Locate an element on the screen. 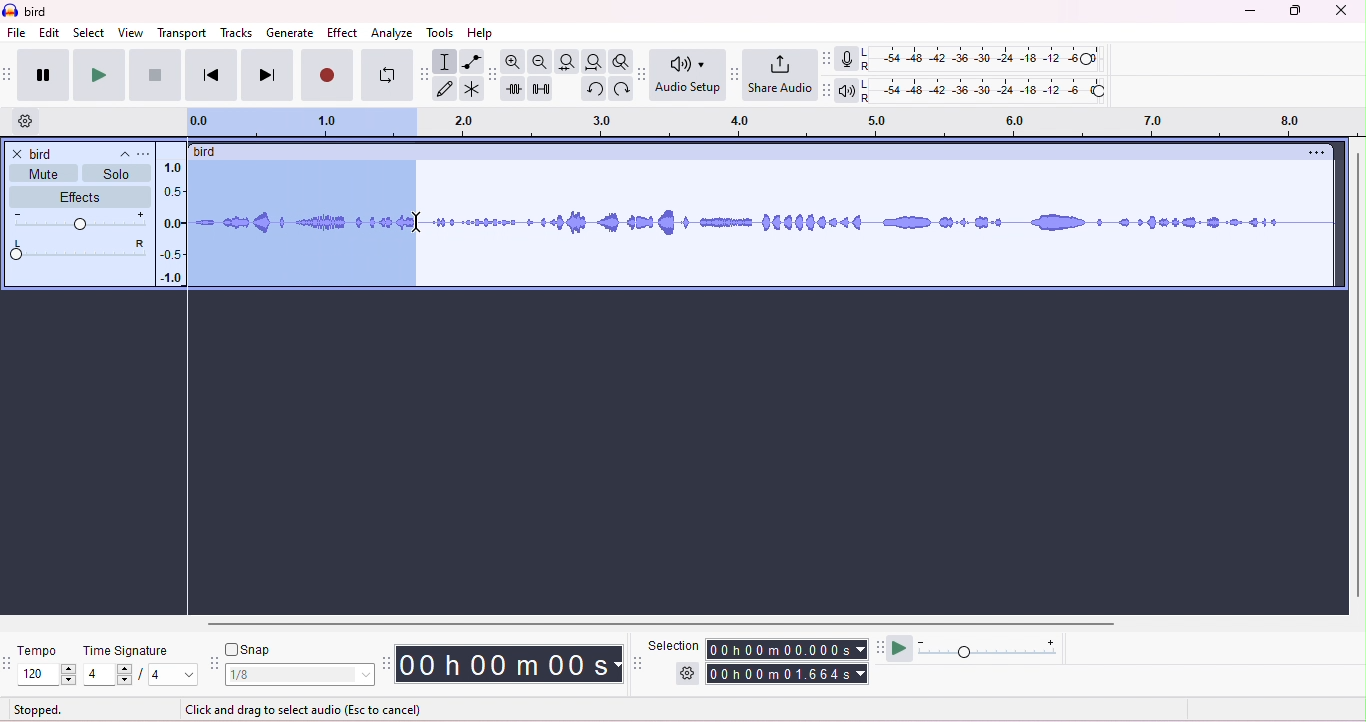 Image resolution: width=1366 pixels, height=722 pixels. zoom in is located at coordinates (515, 60).